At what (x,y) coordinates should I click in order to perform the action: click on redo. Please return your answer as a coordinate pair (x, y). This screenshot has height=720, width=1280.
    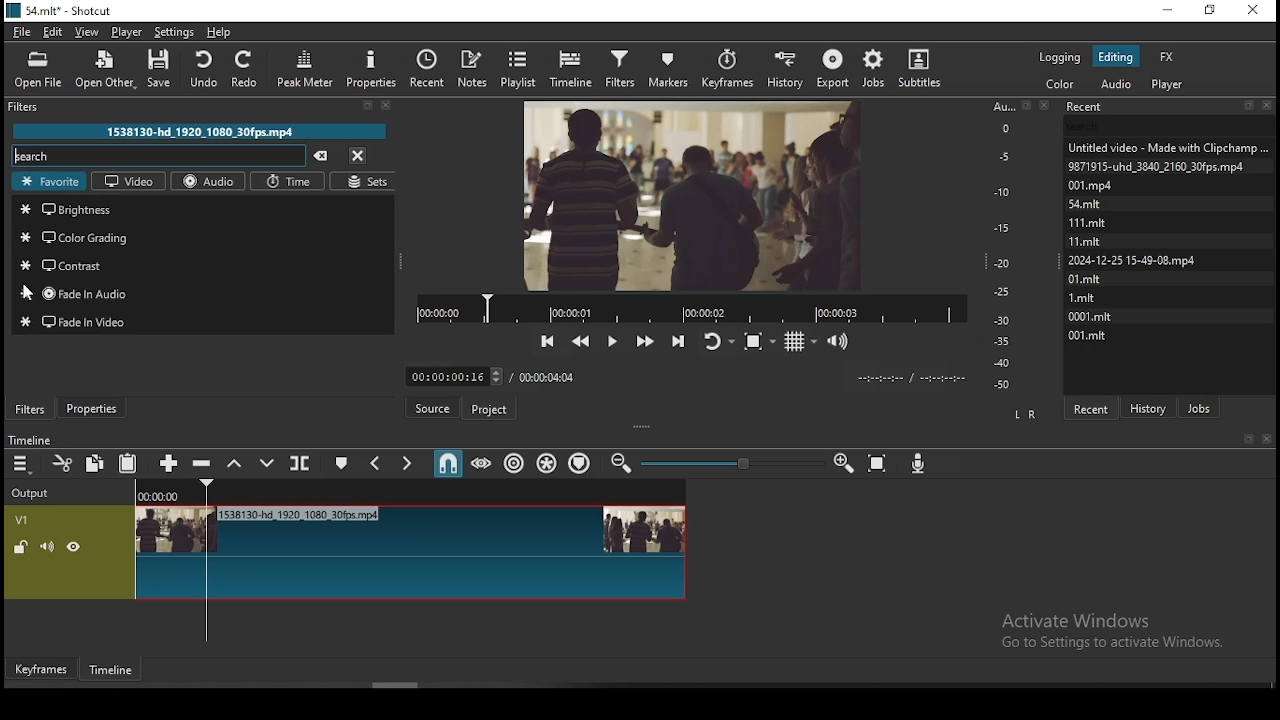
    Looking at the image, I should click on (246, 68).